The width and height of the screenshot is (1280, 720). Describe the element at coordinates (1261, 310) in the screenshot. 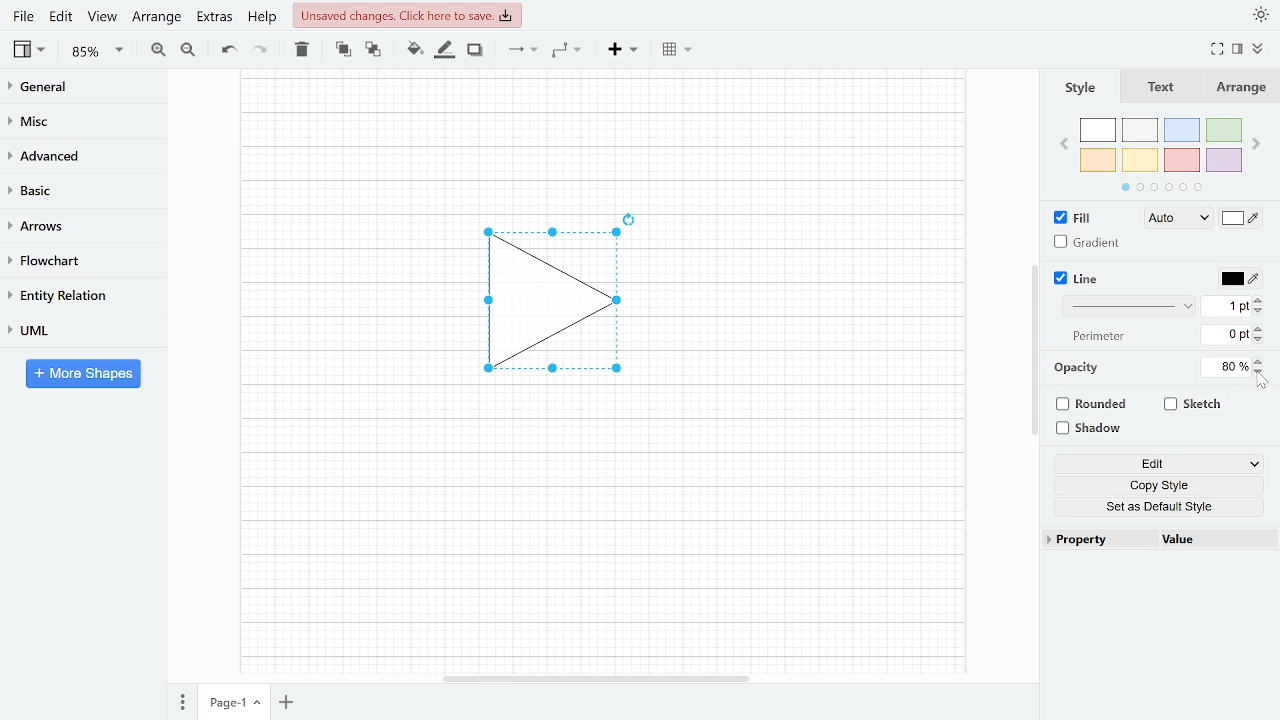

I see `Decrease line width` at that location.